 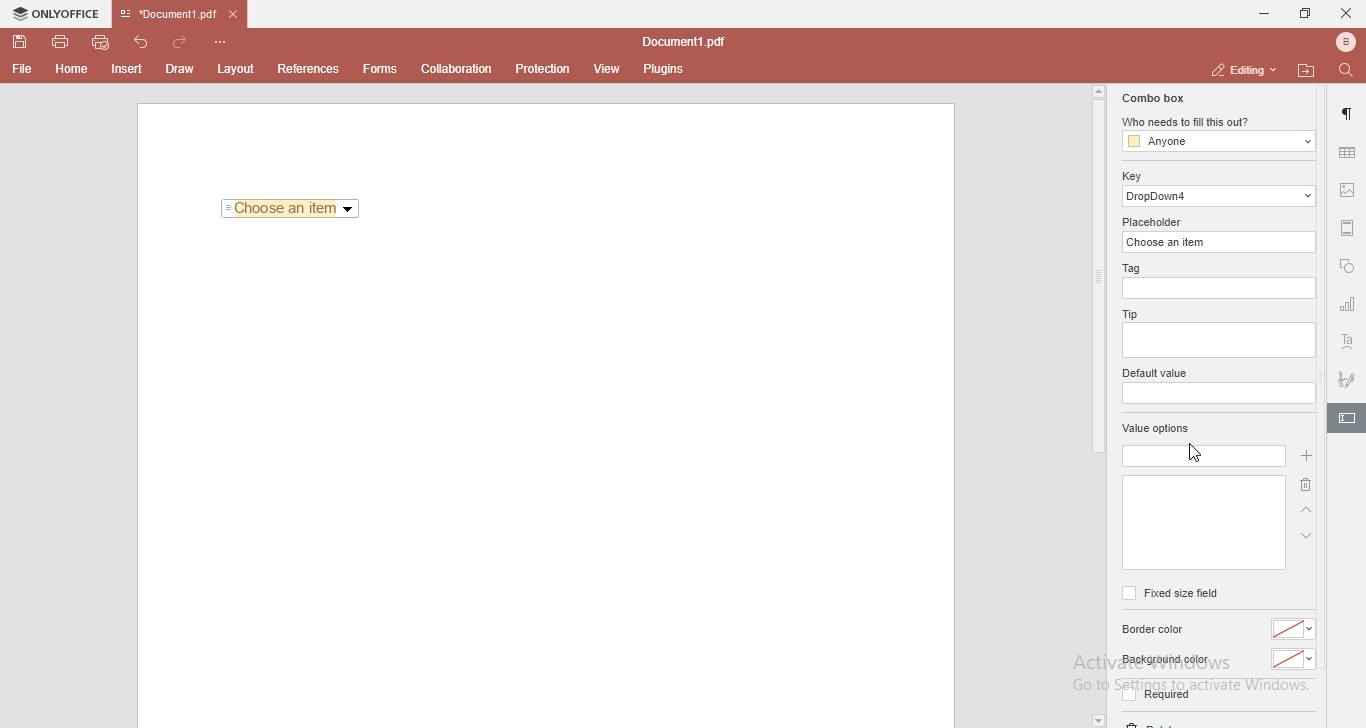 What do you see at coordinates (1217, 394) in the screenshot?
I see `empty box` at bounding box center [1217, 394].